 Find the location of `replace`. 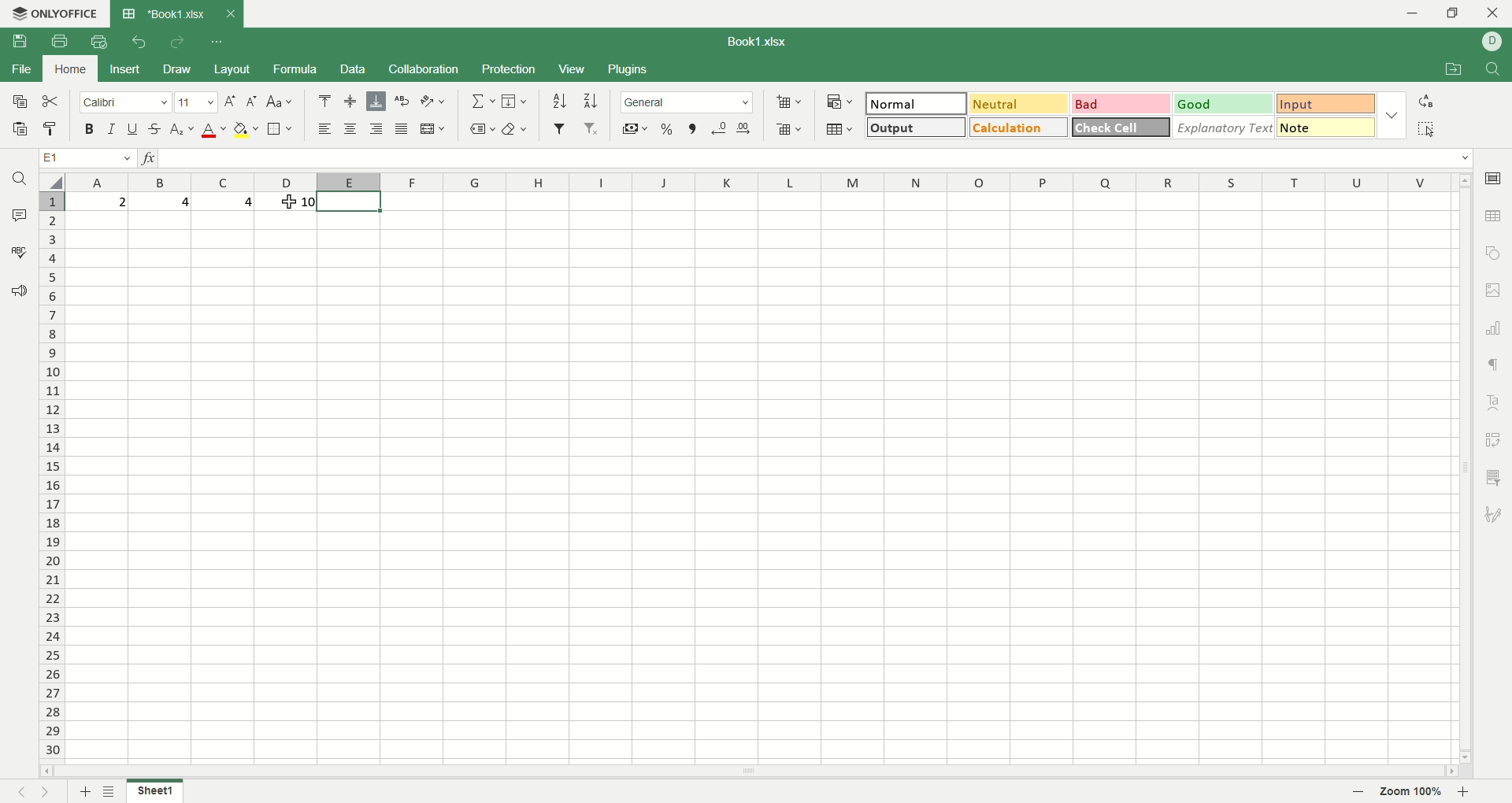

replace is located at coordinates (1425, 102).